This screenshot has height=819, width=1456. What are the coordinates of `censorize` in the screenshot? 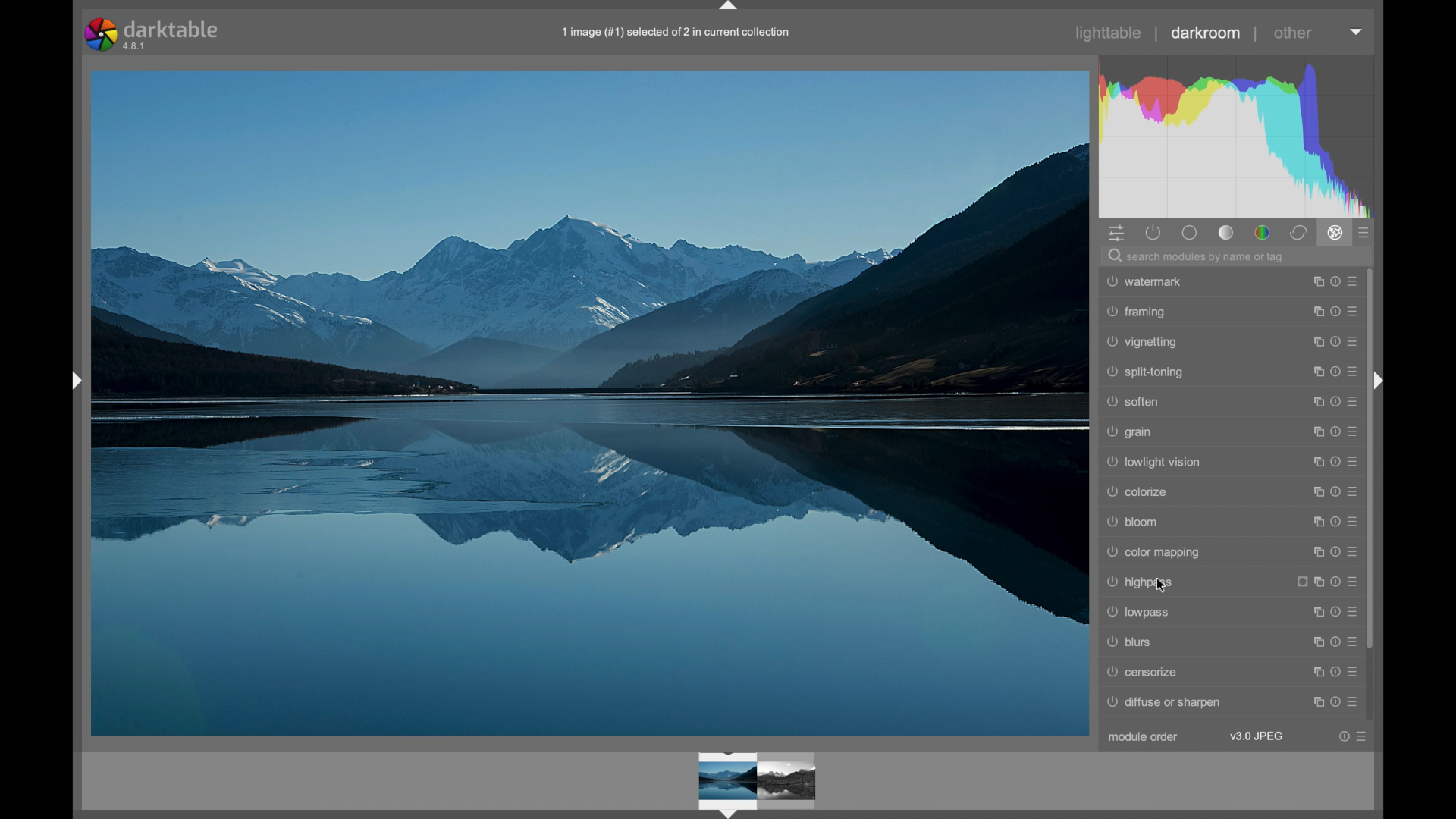 It's located at (1144, 673).